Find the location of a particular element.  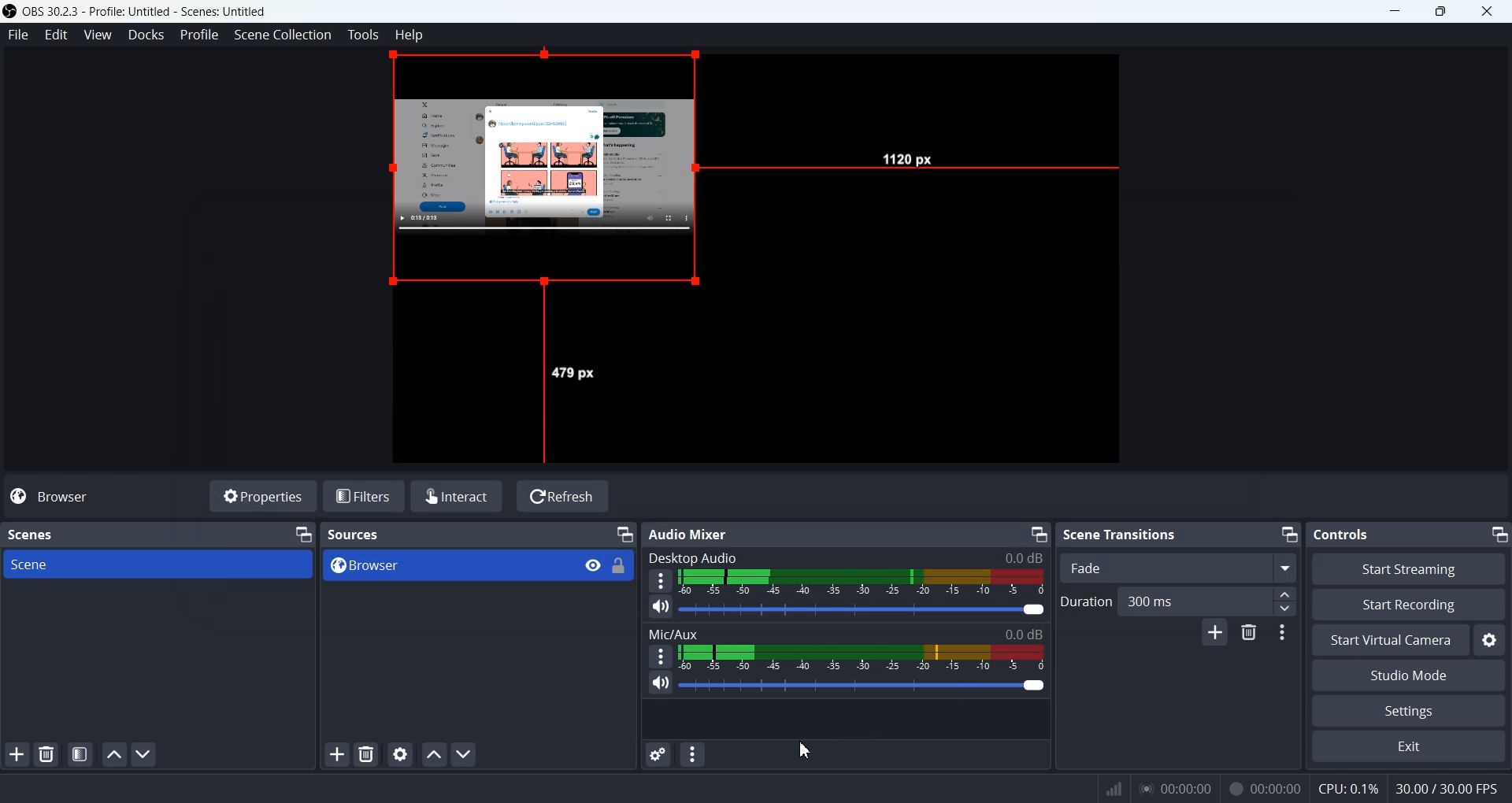

Move sources down is located at coordinates (465, 755).